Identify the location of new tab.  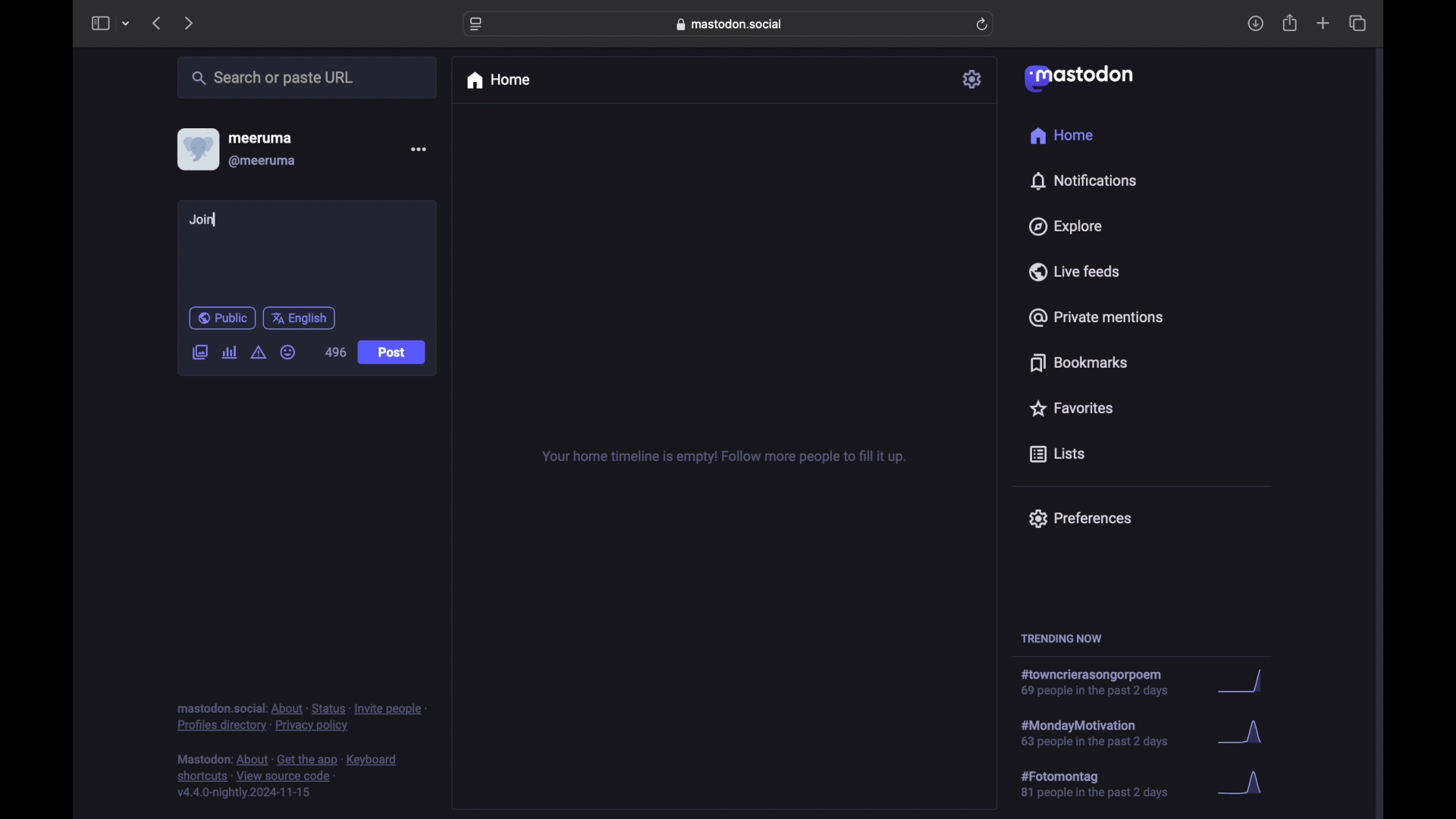
(1323, 23).